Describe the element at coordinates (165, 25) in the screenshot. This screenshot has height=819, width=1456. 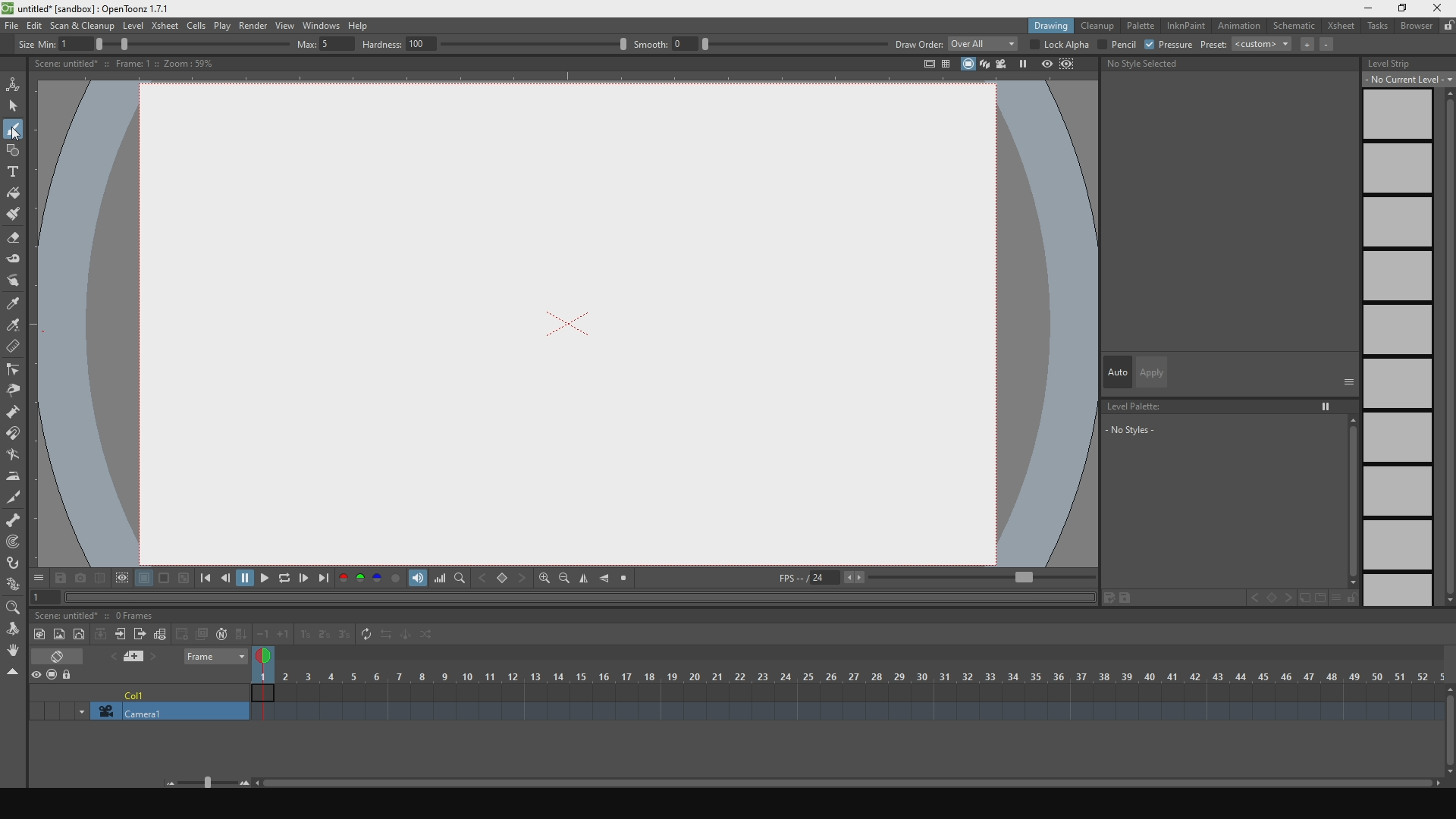
I see `xsheet` at that location.